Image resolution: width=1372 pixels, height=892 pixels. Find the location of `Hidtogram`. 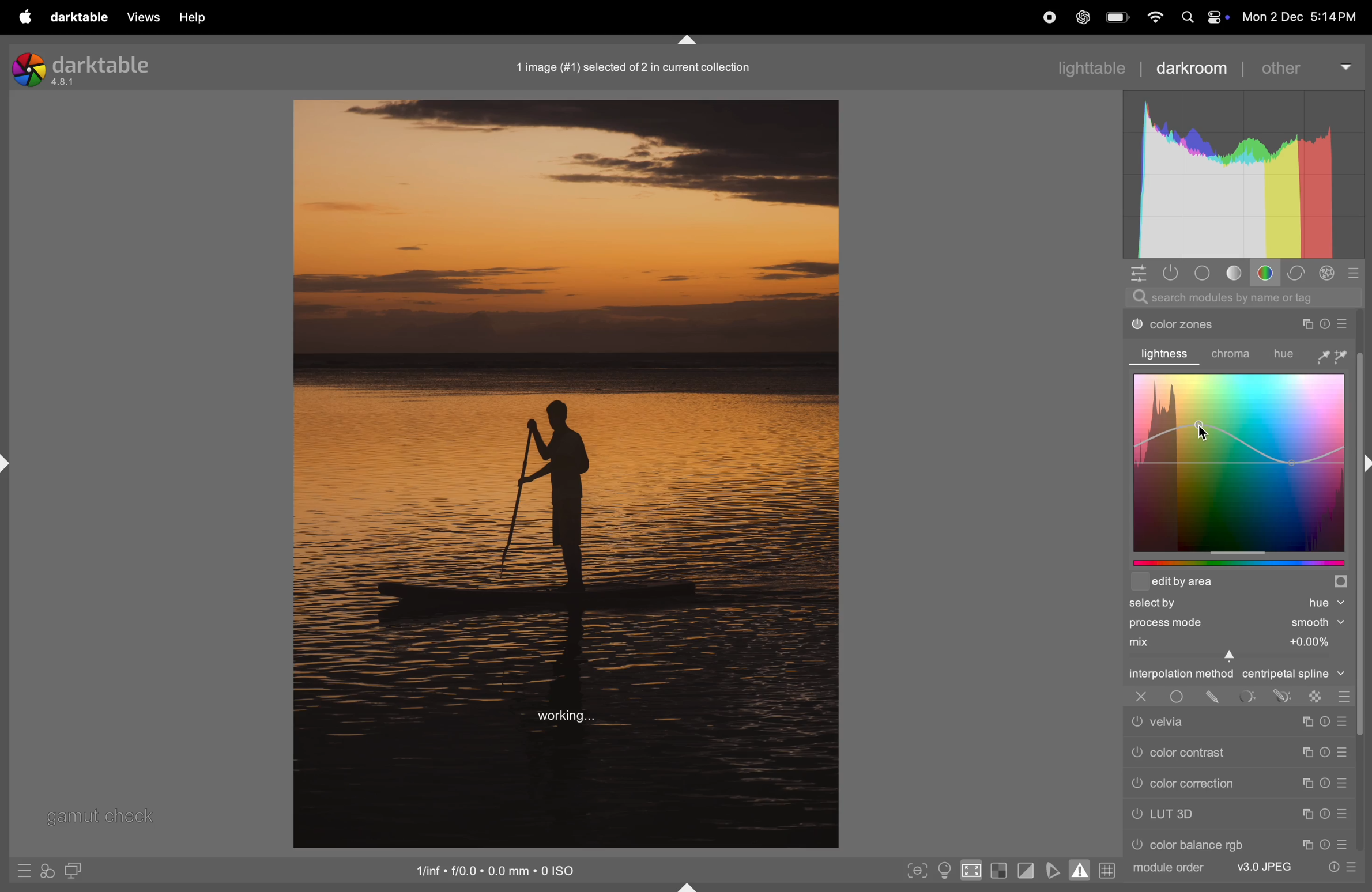

Hidtogram is located at coordinates (1246, 172).